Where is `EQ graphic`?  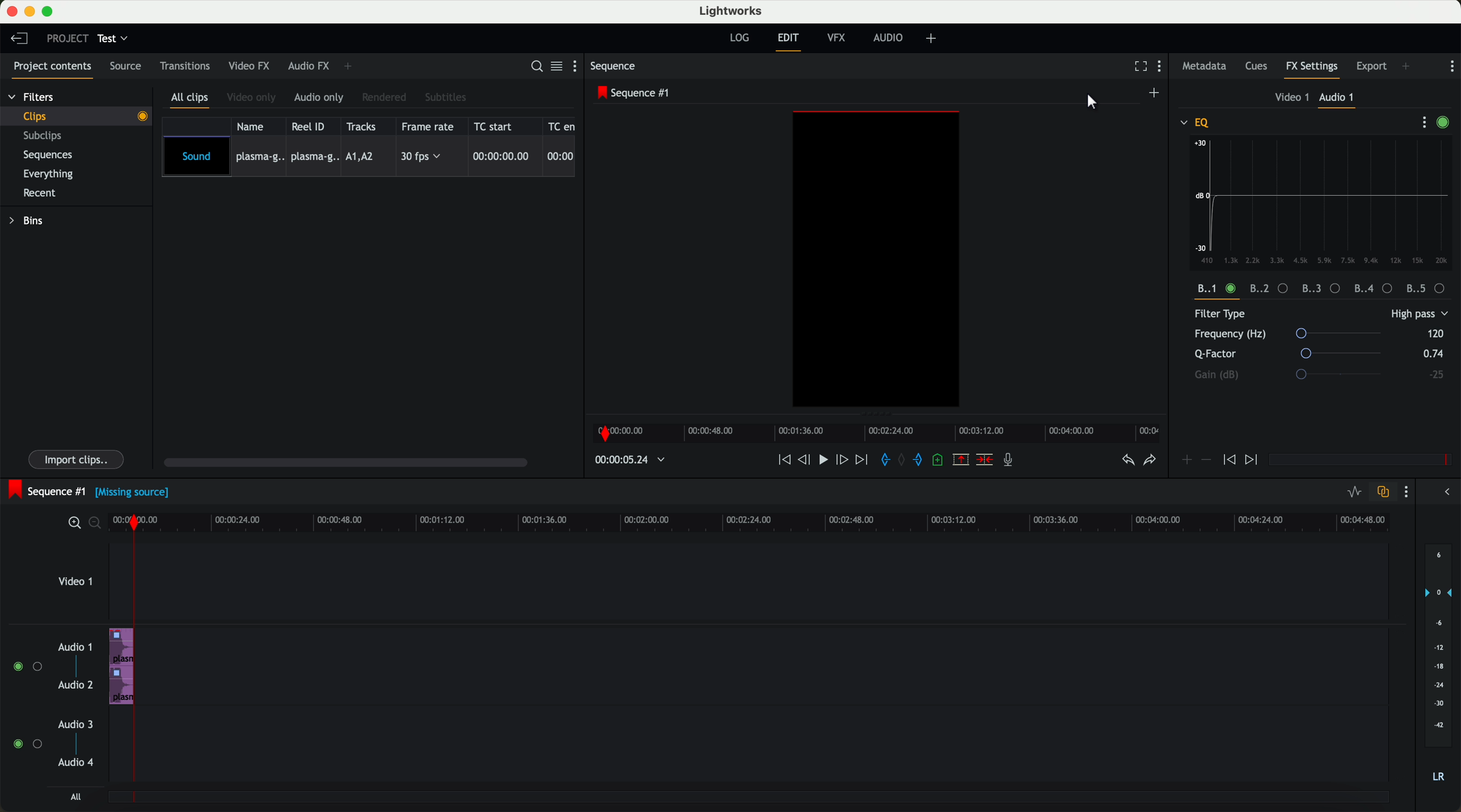 EQ graphic is located at coordinates (1323, 202).